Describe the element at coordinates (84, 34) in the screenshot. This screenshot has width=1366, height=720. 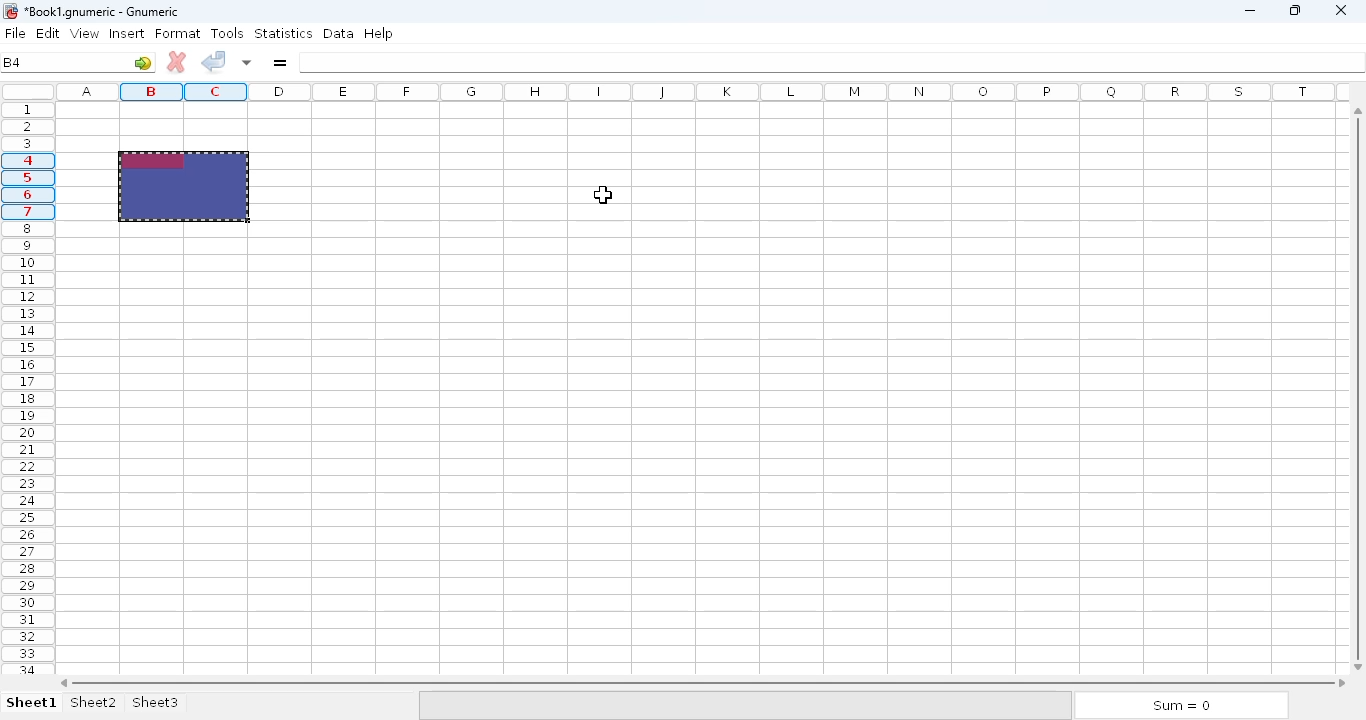
I see `view` at that location.